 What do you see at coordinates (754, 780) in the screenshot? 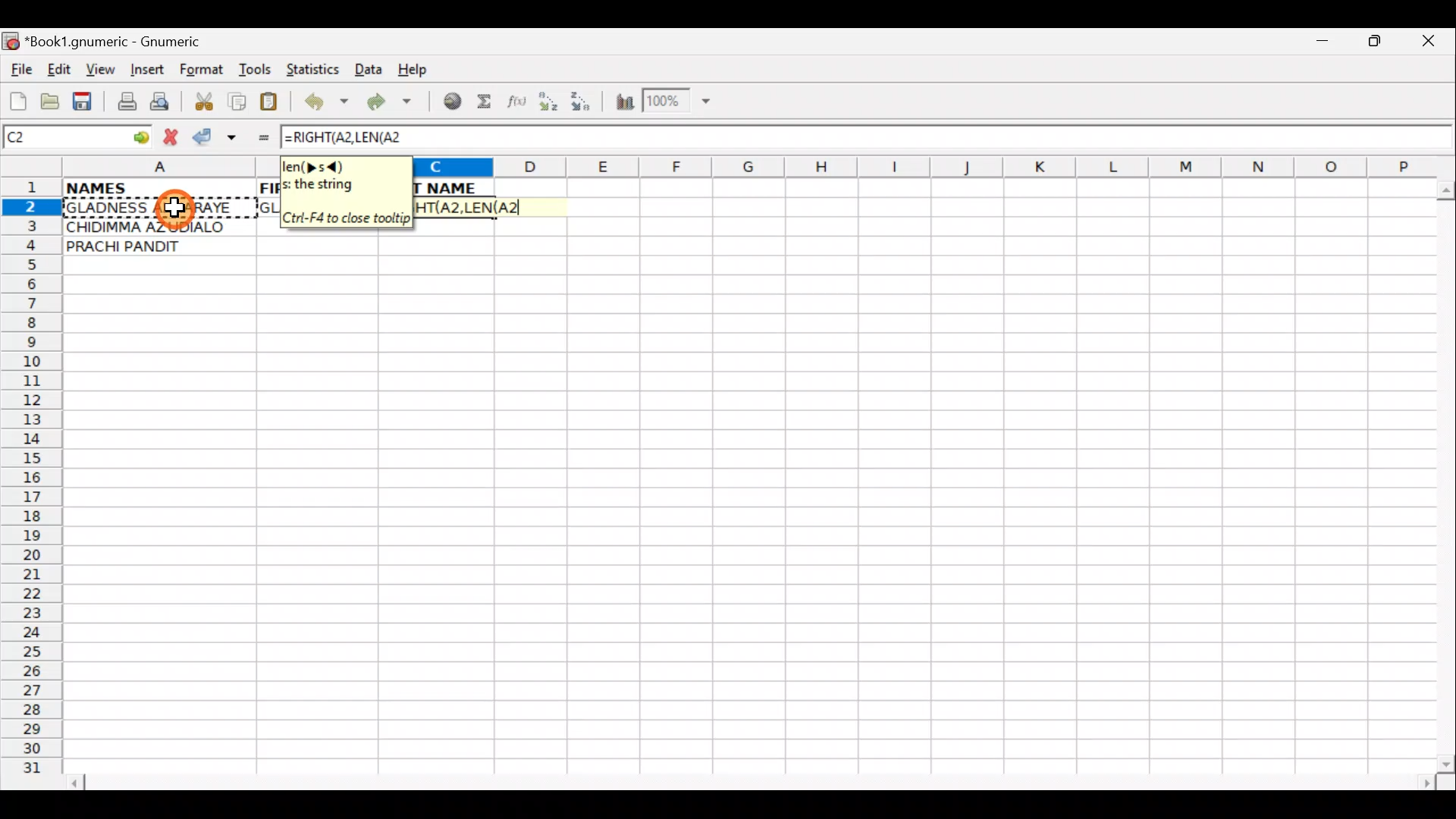
I see `Scroll bar` at bounding box center [754, 780].